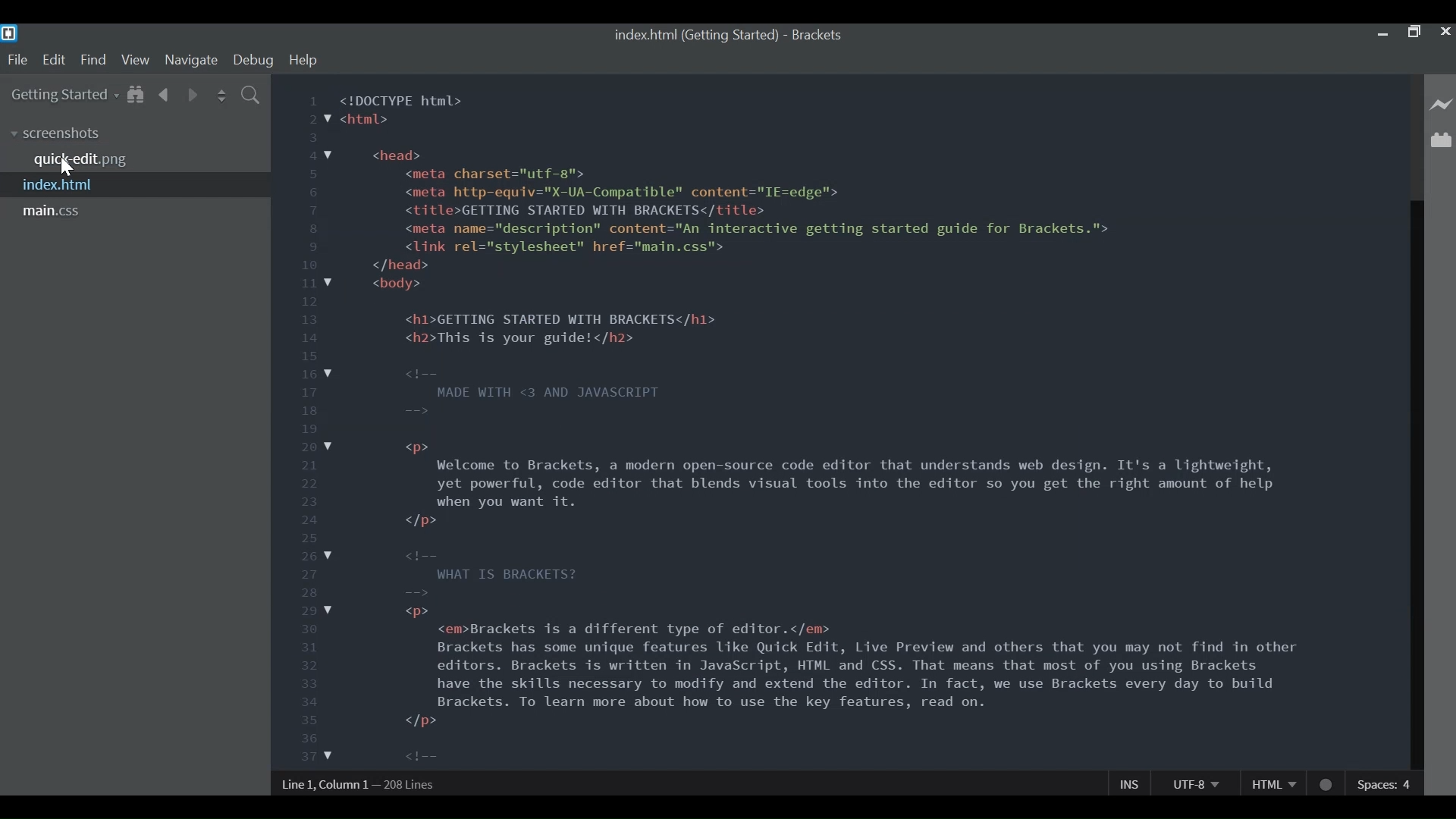 The width and height of the screenshot is (1456, 819). Describe the element at coordinates (94, 60) in the screenshot. I see `find` at that location.